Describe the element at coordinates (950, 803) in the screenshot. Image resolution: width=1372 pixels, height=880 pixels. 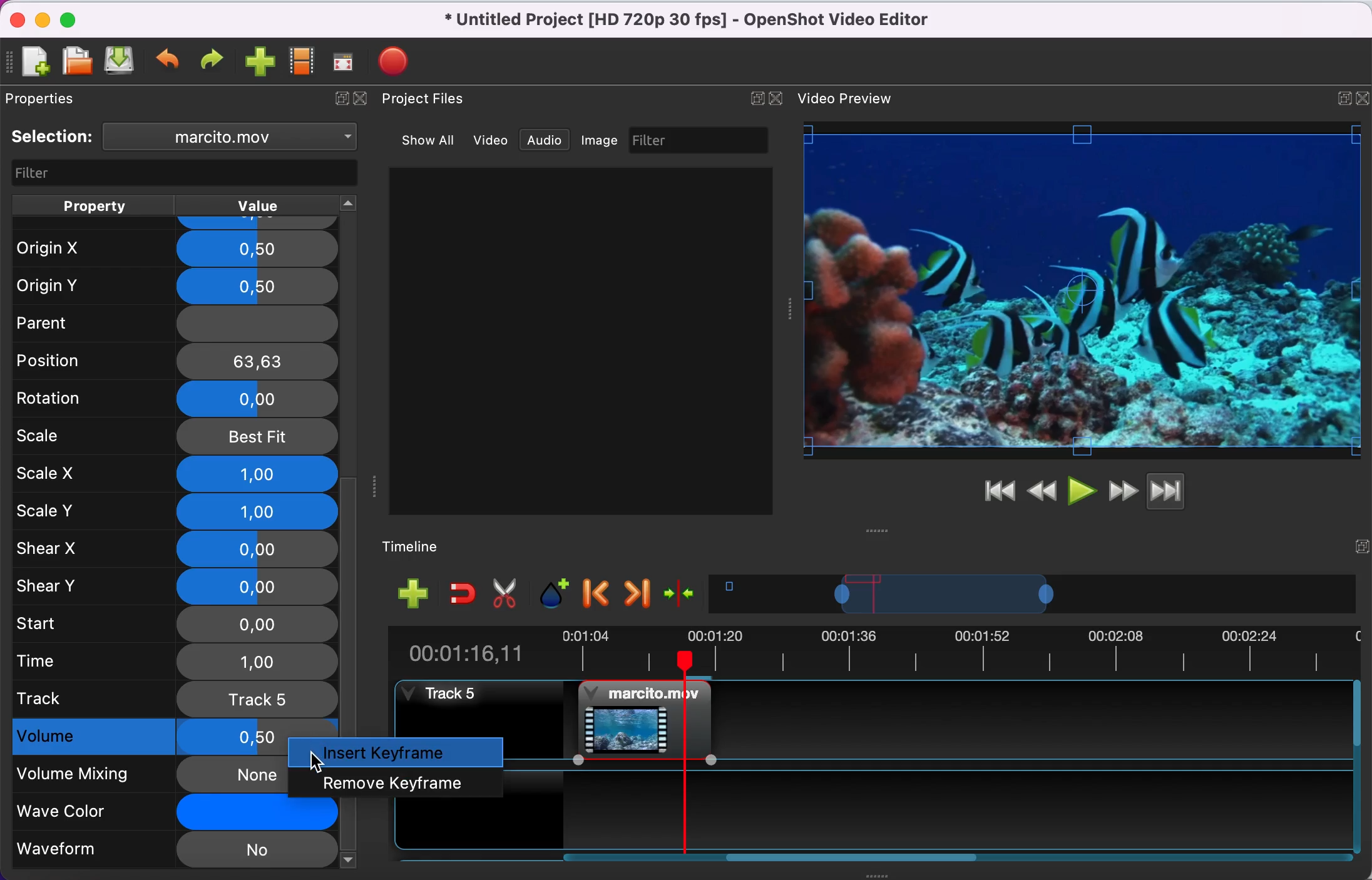
I see `track 4` at that location.